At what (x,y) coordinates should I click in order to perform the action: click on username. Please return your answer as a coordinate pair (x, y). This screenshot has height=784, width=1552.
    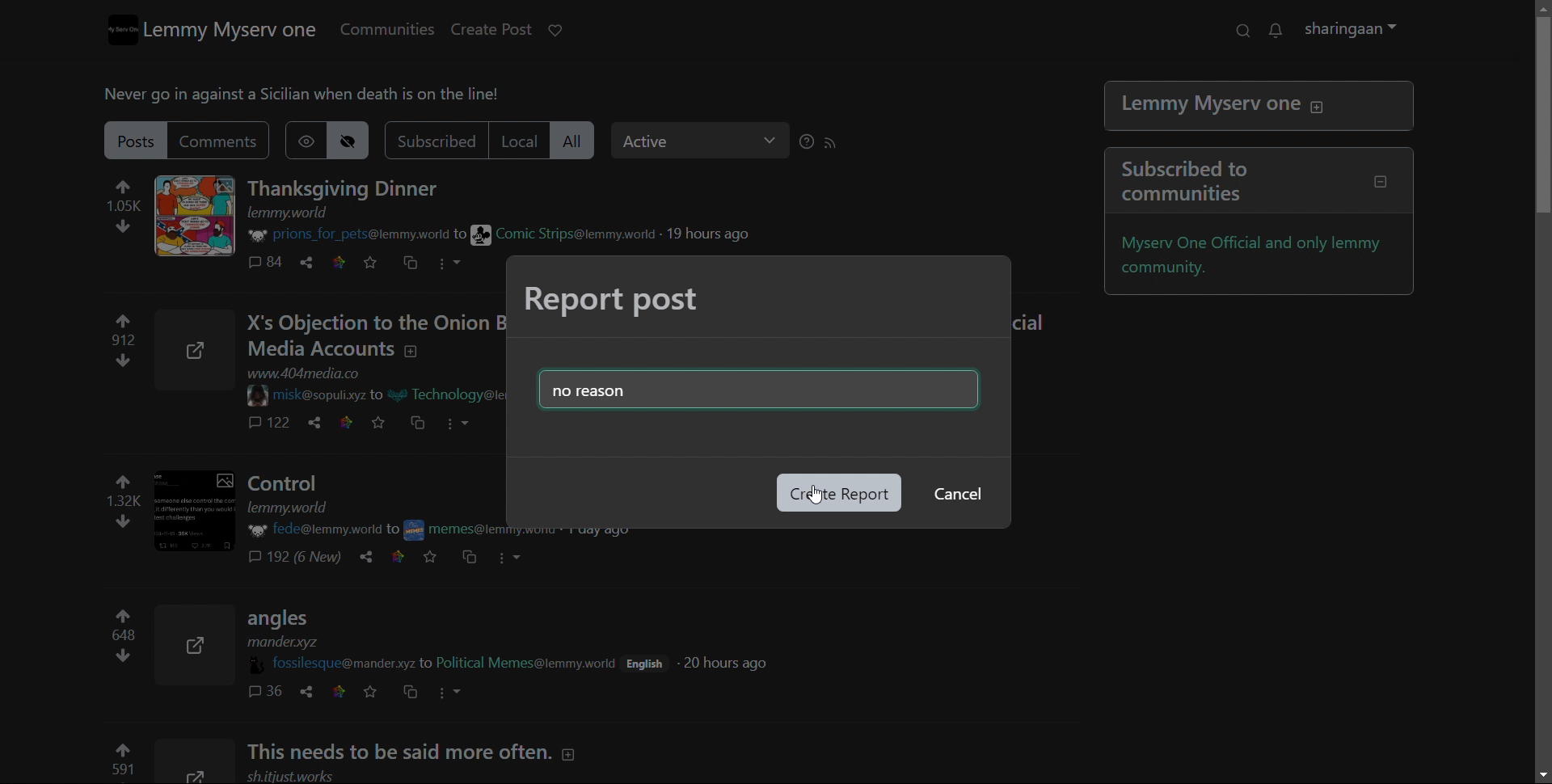
    Looking at the image, I should click on (323, 394).